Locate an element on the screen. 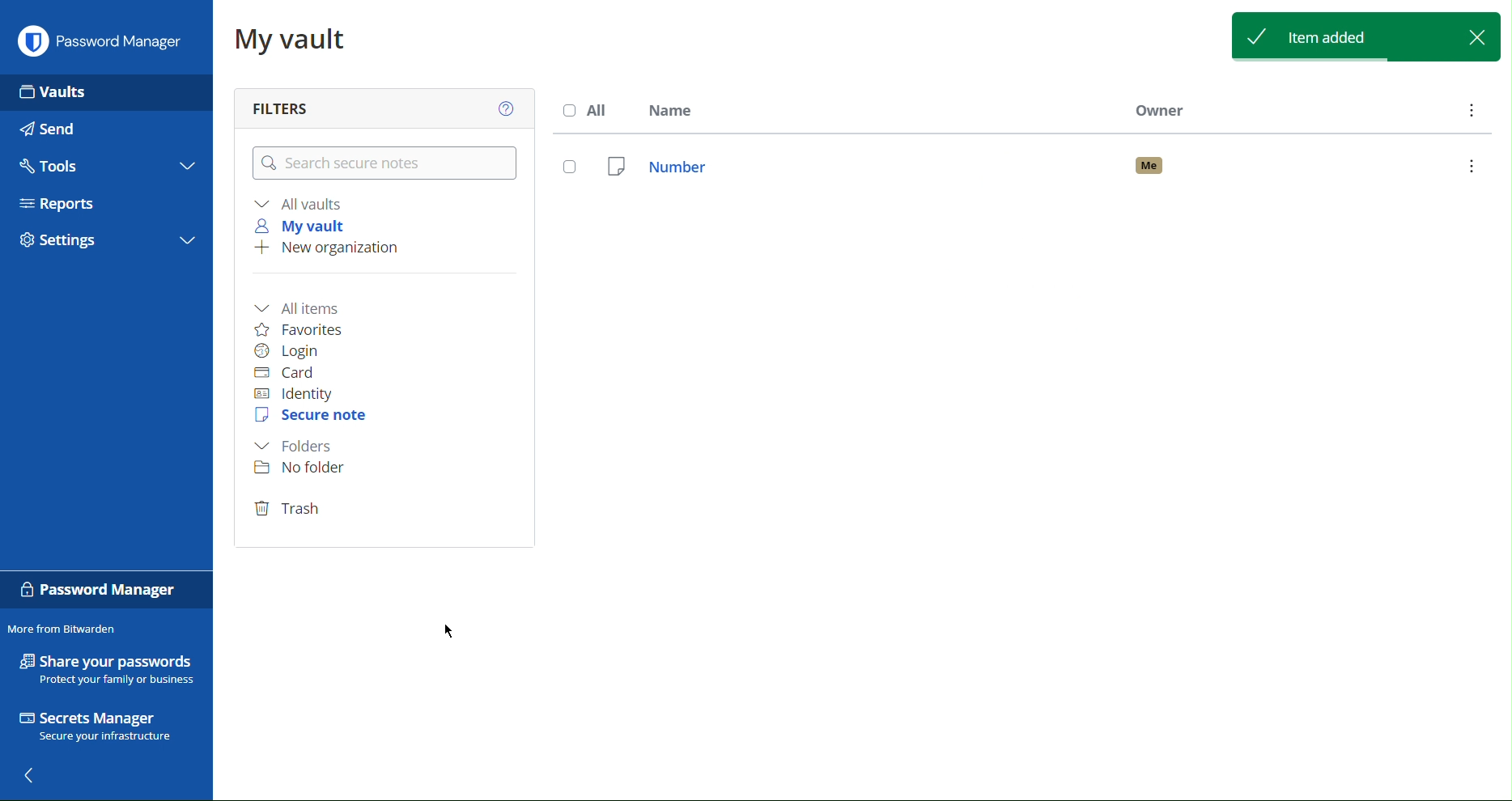 Image resolution: width=1512 pixels, height=801 pixels. Share your passwords is located at coordinates (106, 668).